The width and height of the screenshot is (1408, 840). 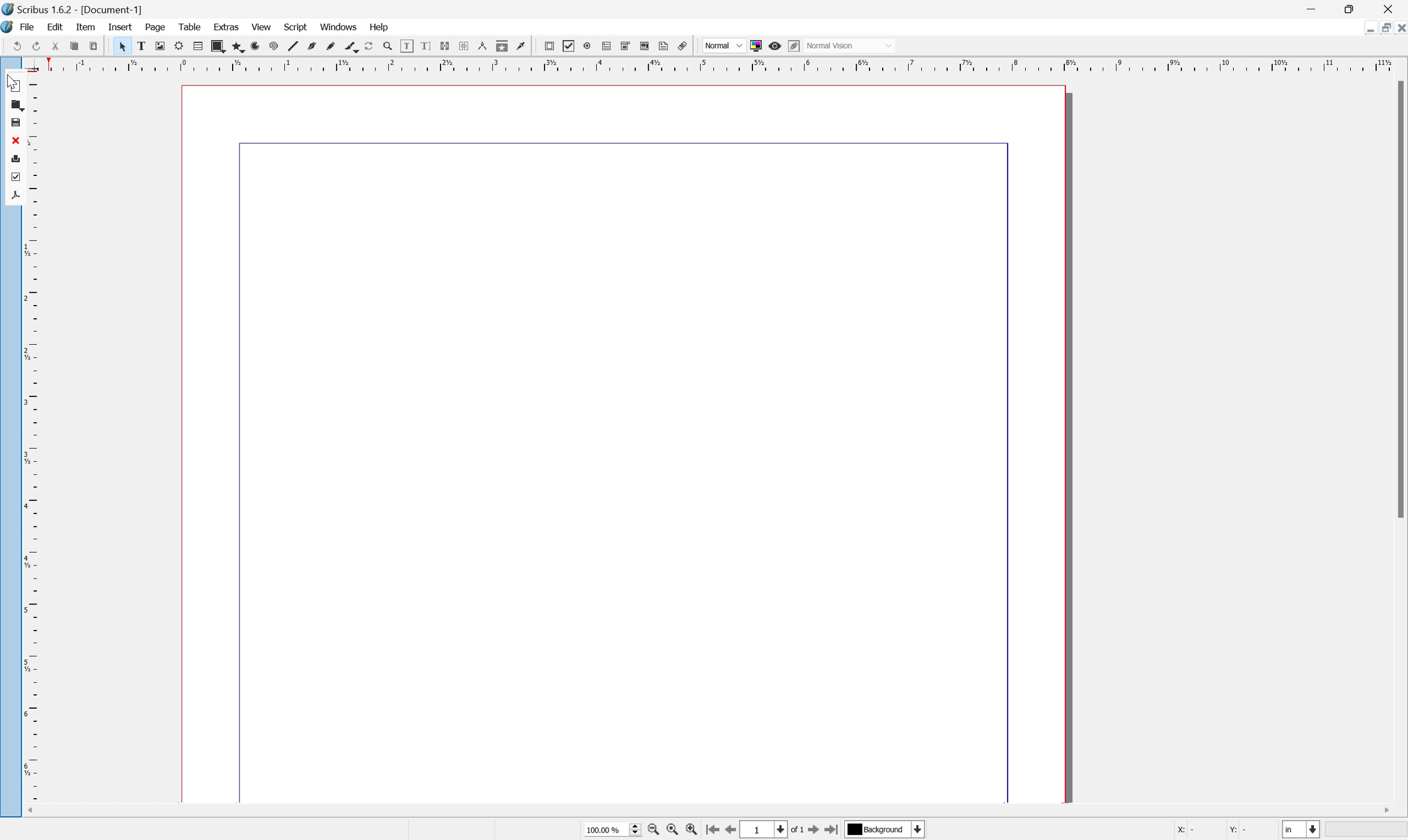 I want to click on spiral, so click(x=408, y=45).